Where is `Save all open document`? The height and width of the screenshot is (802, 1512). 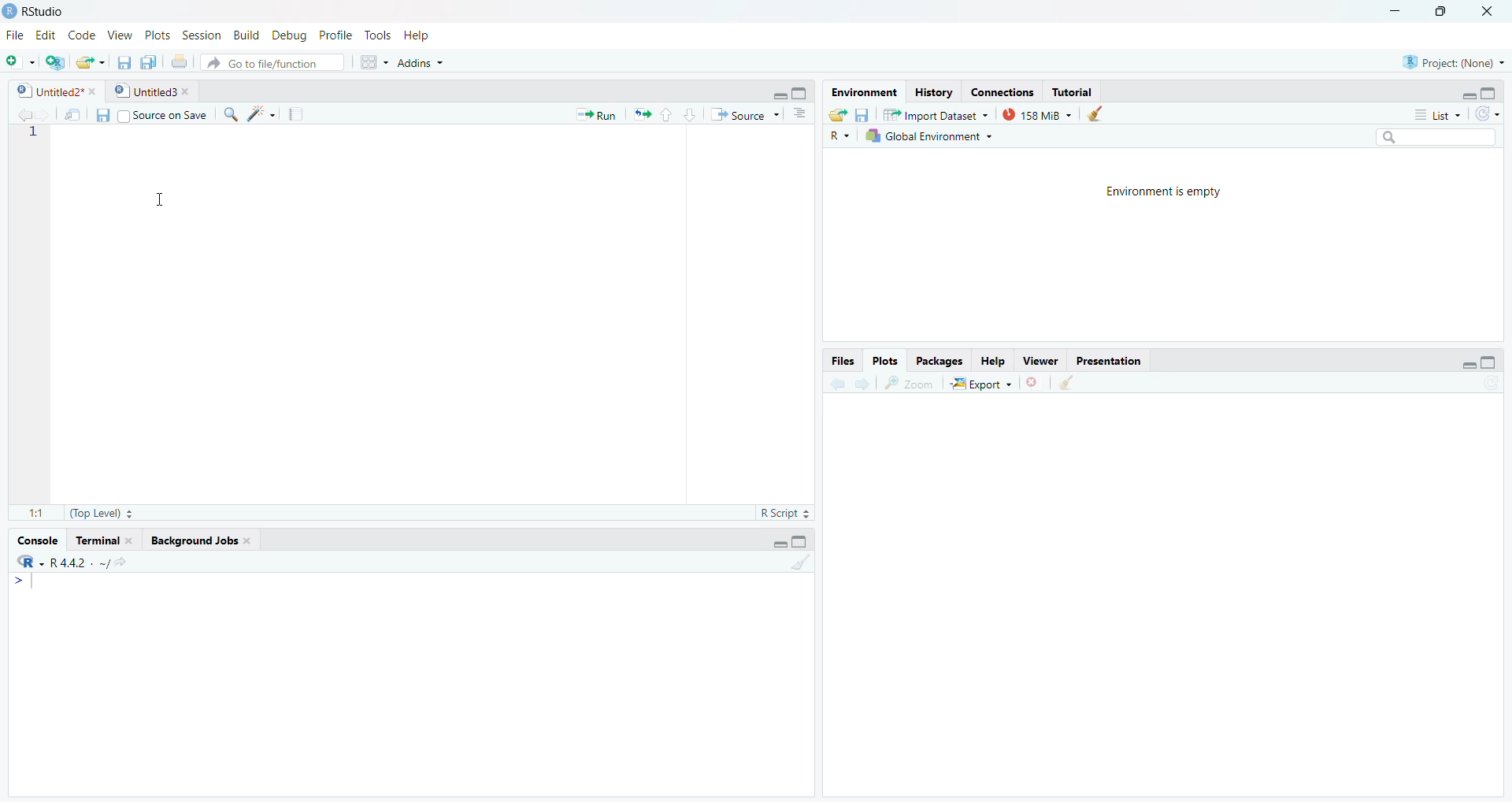
Save all open document is located at coordinates (150, 61).